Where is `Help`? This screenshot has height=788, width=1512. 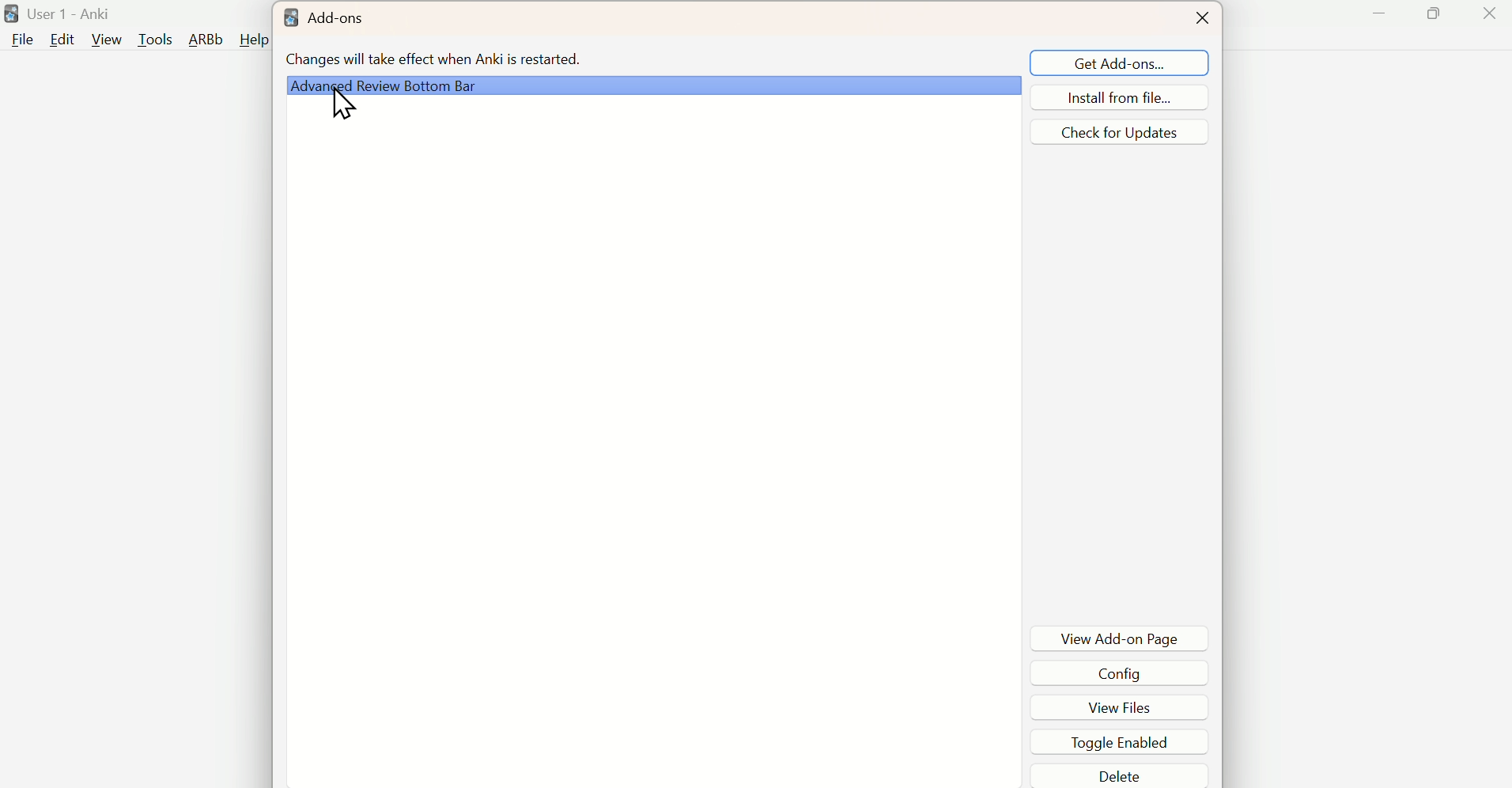 Help is located at coordinates (255, 40).